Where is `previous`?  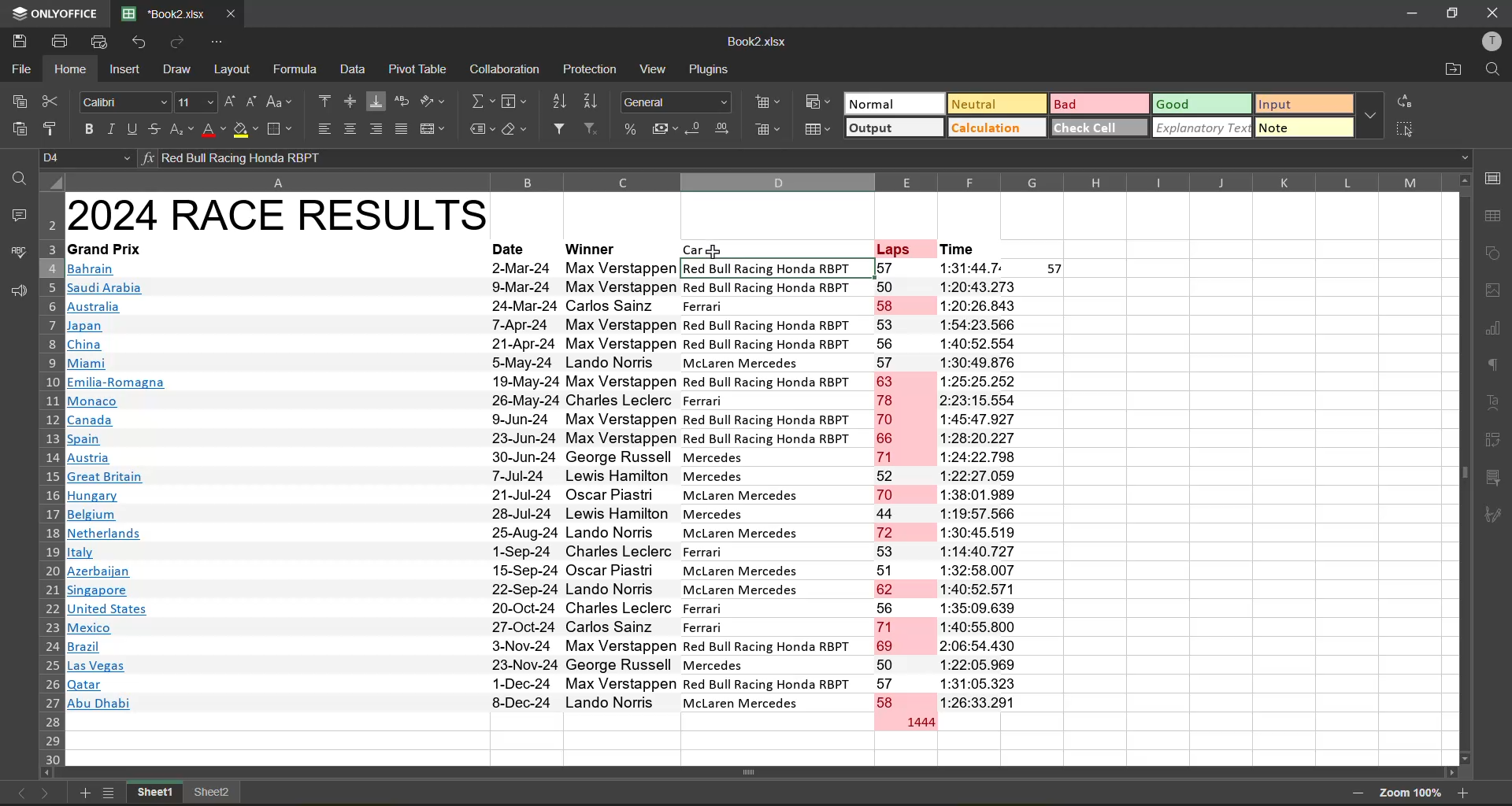
previous is located at coordinates (18, 792).